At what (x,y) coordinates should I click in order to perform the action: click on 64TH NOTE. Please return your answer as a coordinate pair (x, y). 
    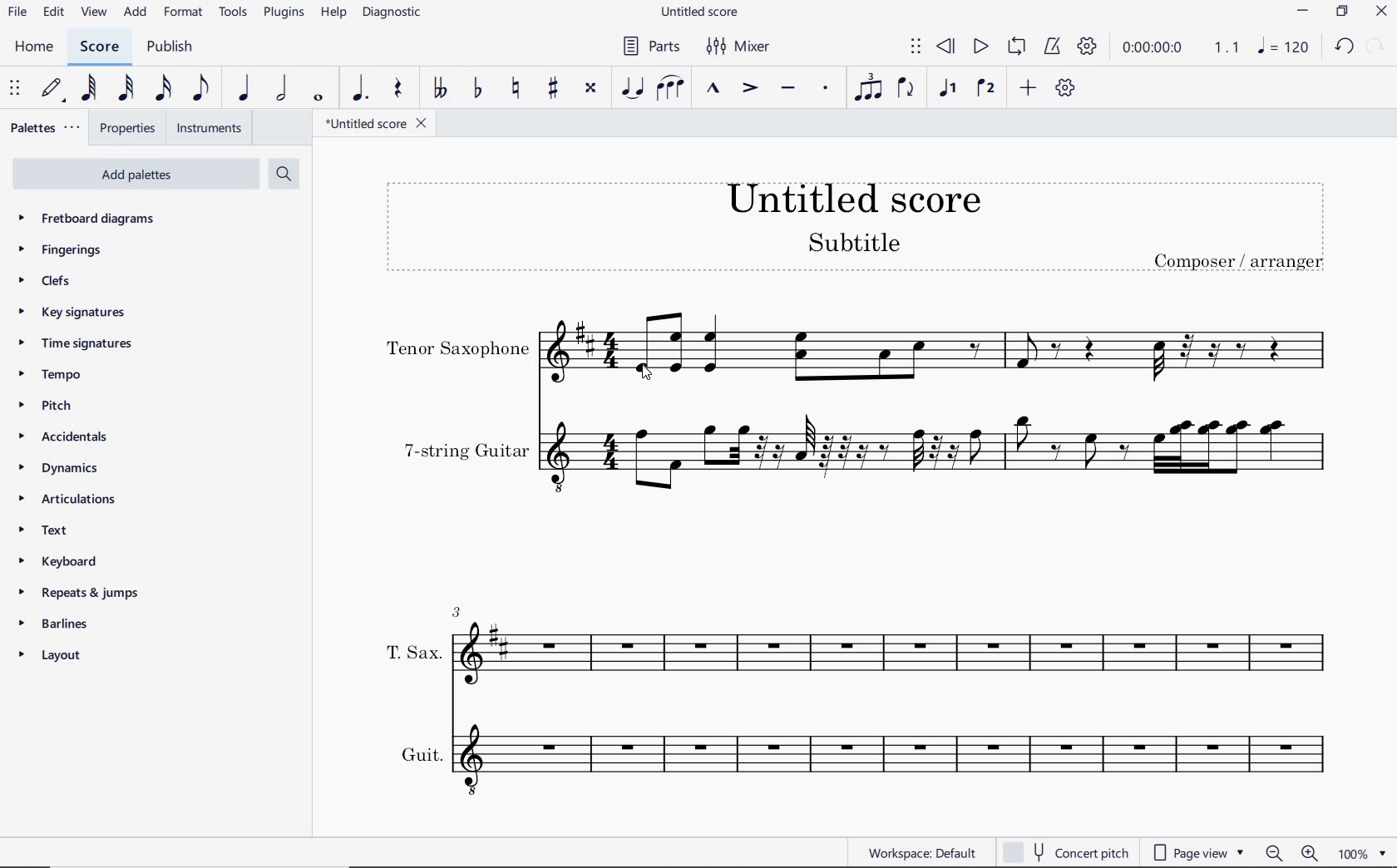
    Looking at the image, I should click on (88, 87).